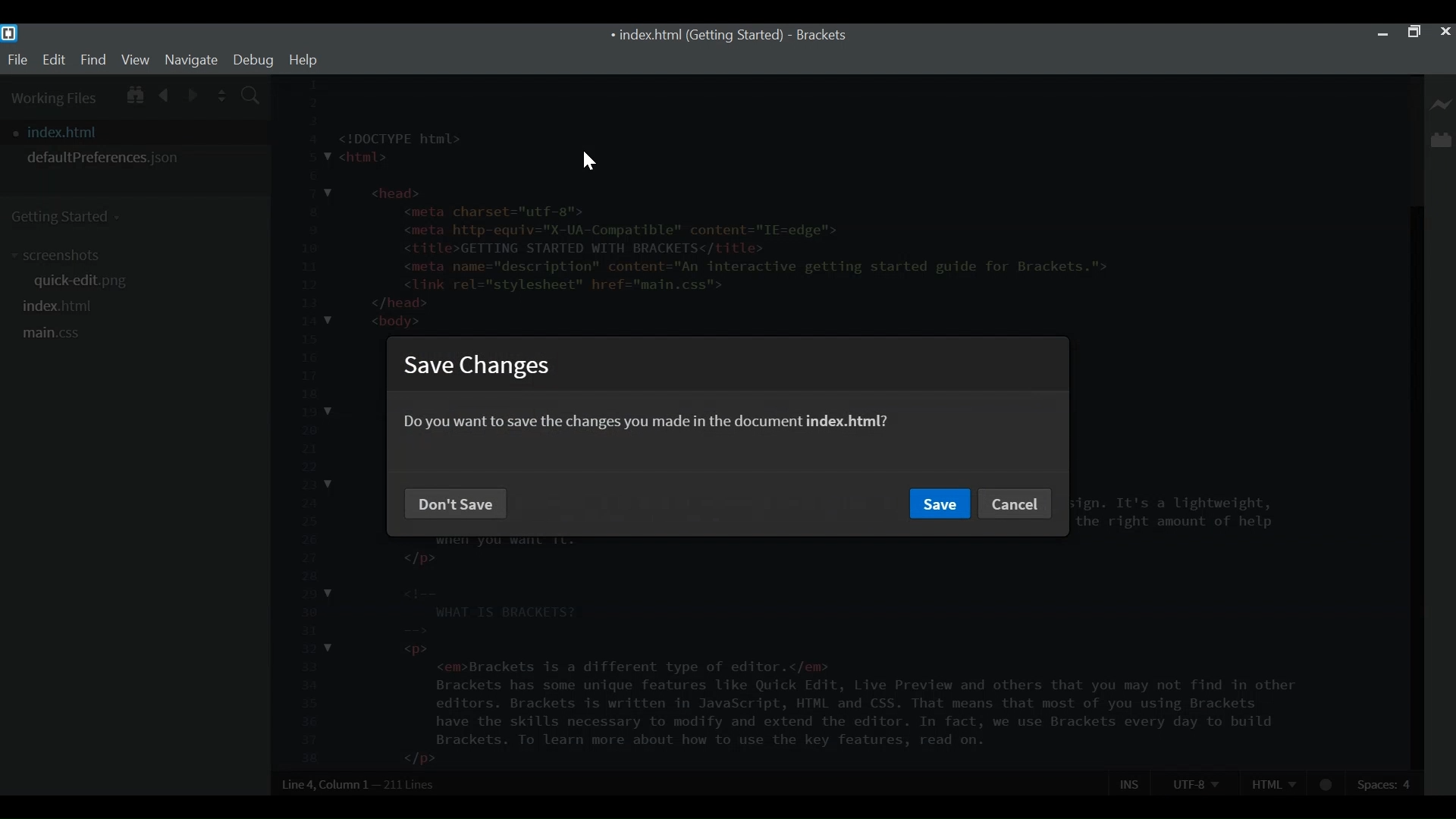 Image resolution: width=1456 pixels, height=819 pixels. Describe the element at coordinates (1386, 783) in the screenshot. I see `Spaces: 4` at that location.